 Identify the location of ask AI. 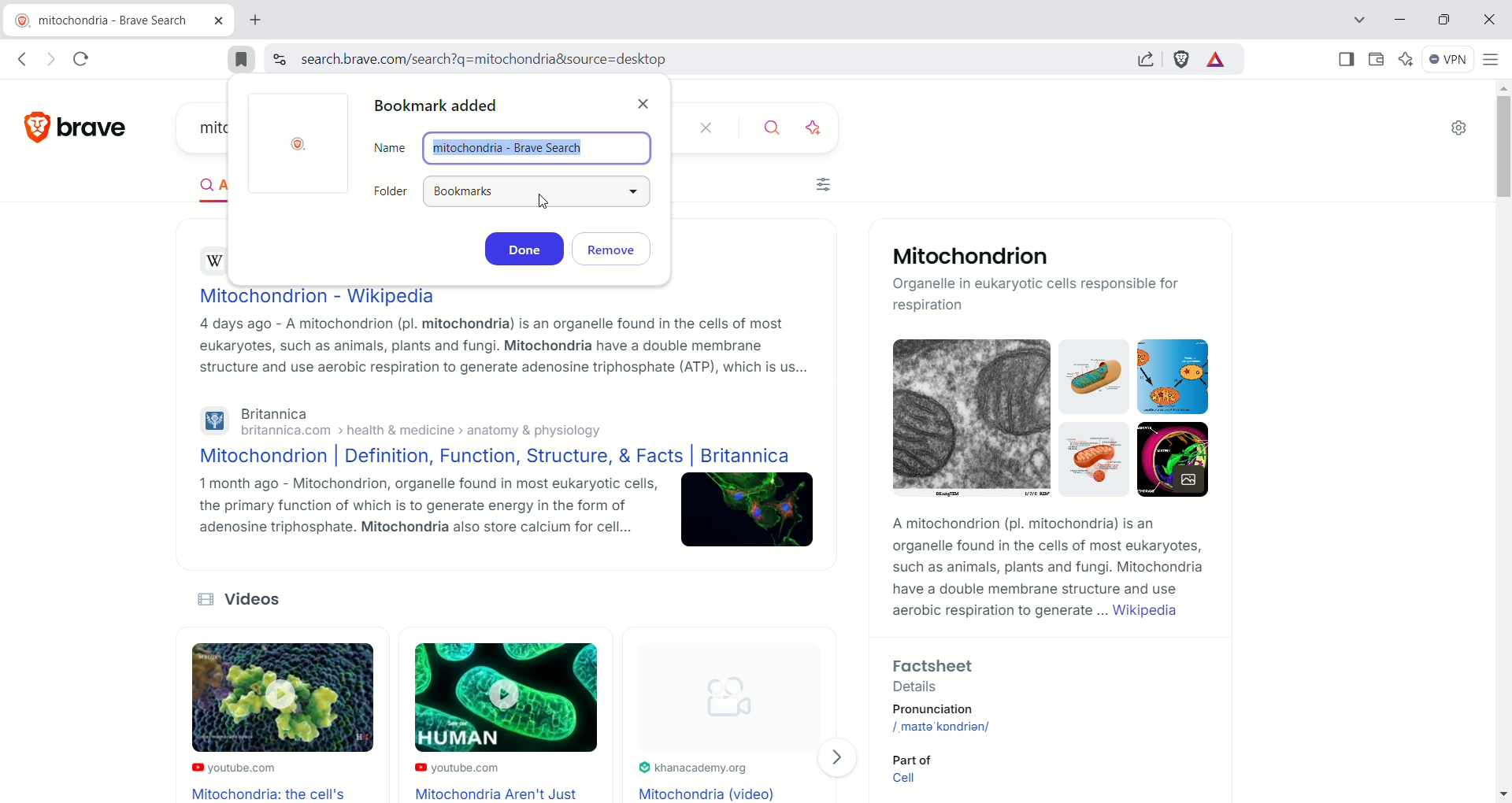
(815, 126).